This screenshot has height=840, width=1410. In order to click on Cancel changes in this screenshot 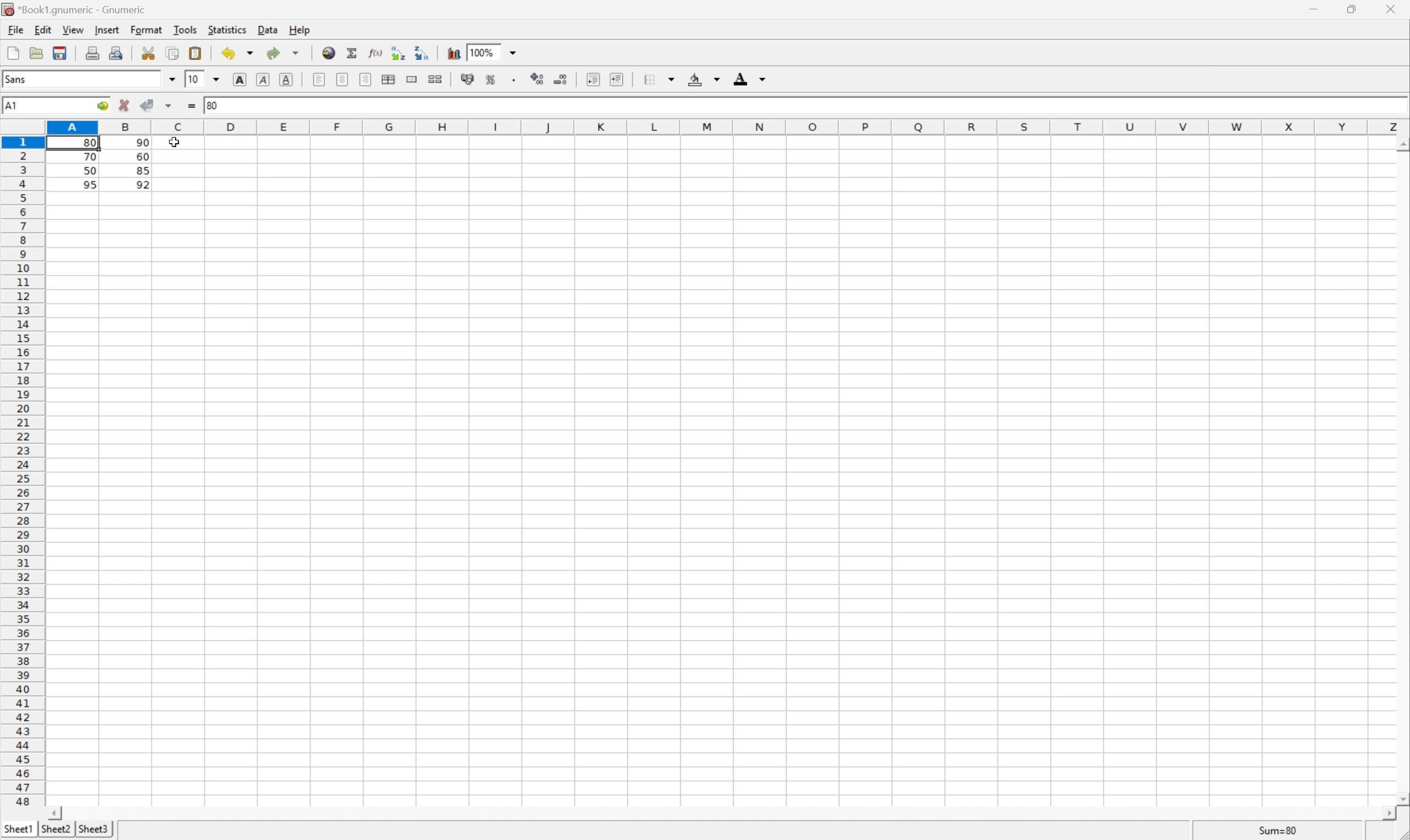, I will do `click(125, 106)`.